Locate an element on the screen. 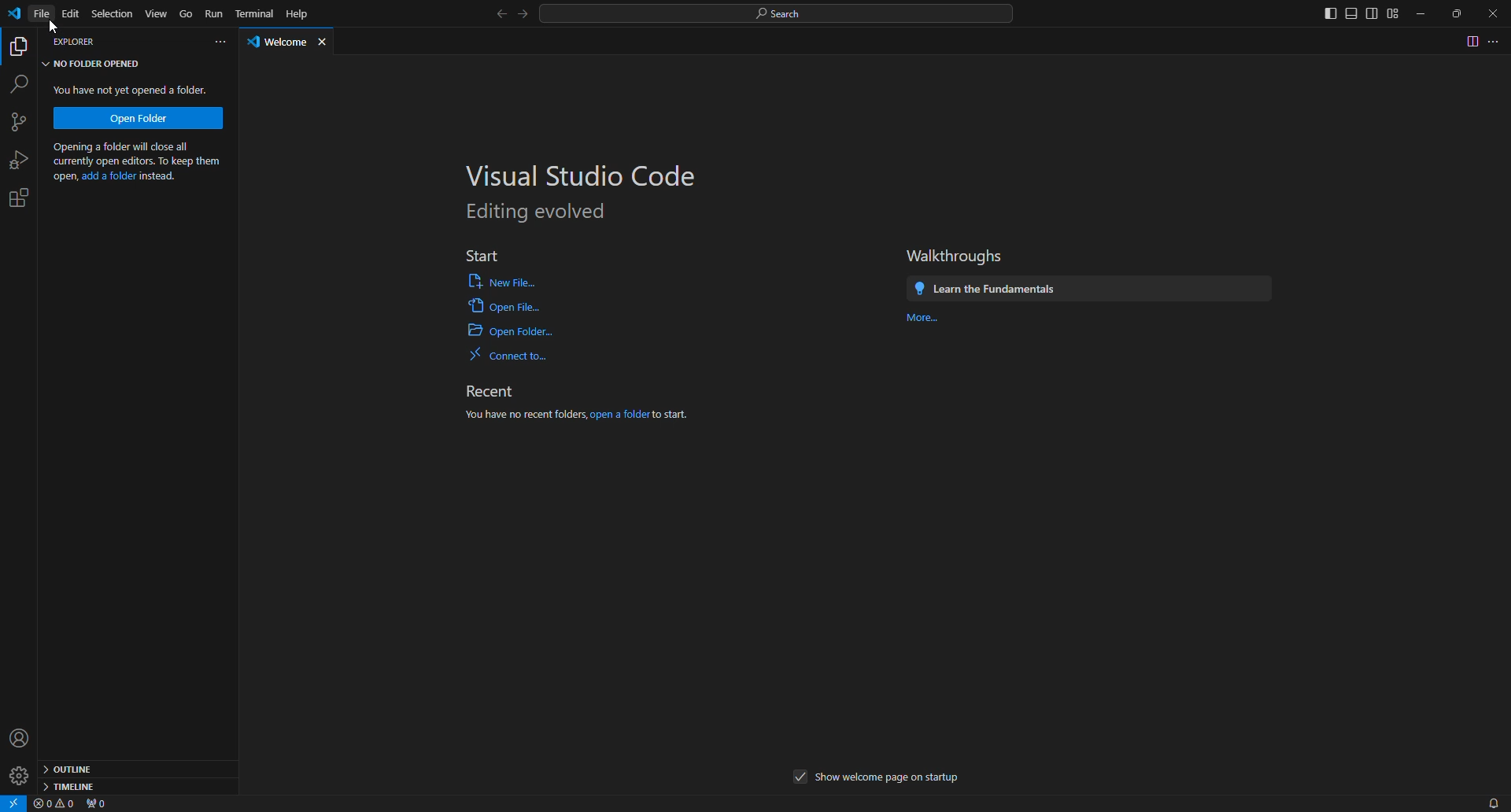  go forward is located at coordinates (524, 16).